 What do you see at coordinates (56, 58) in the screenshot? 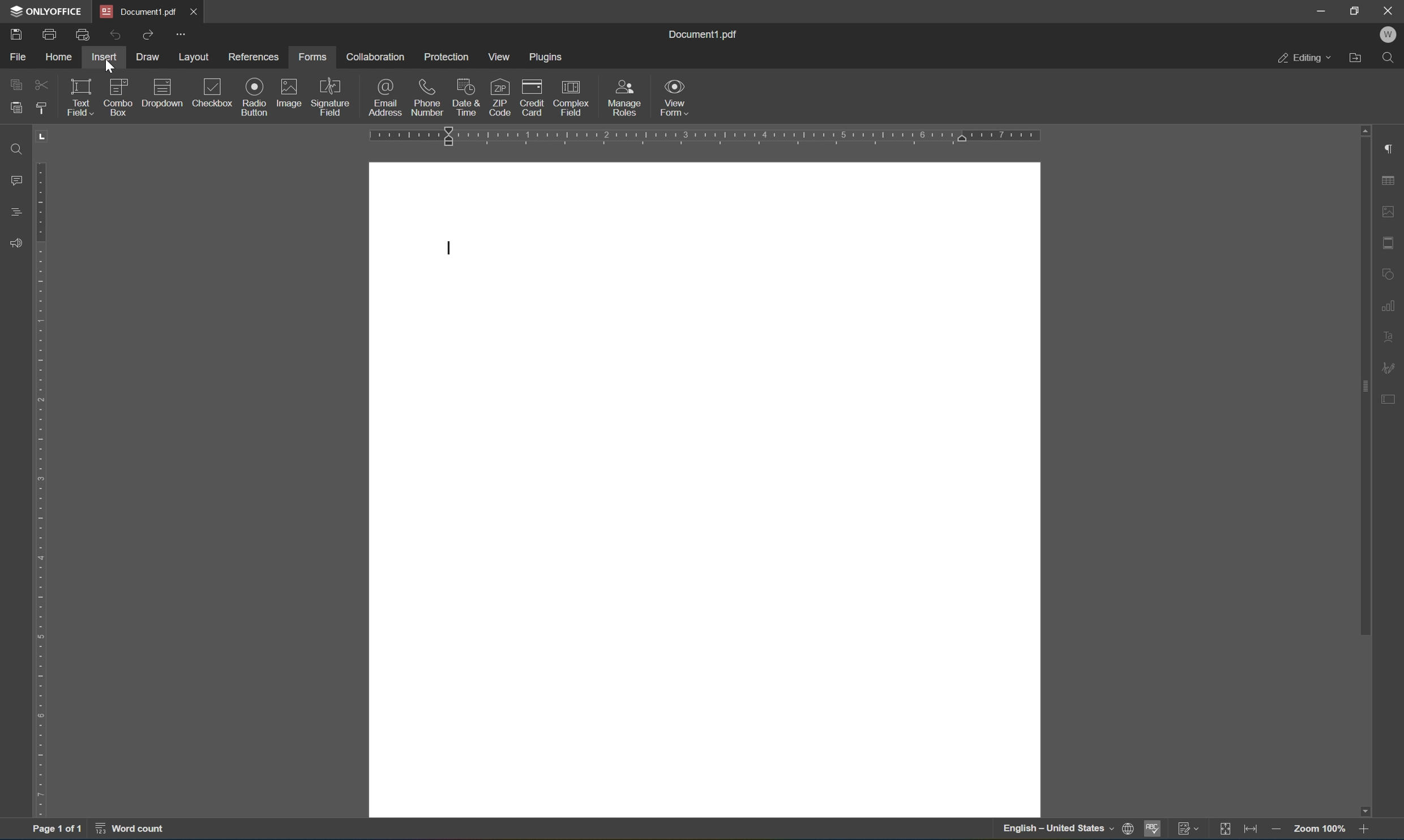
I see `home` at bounding box center [56, 58].